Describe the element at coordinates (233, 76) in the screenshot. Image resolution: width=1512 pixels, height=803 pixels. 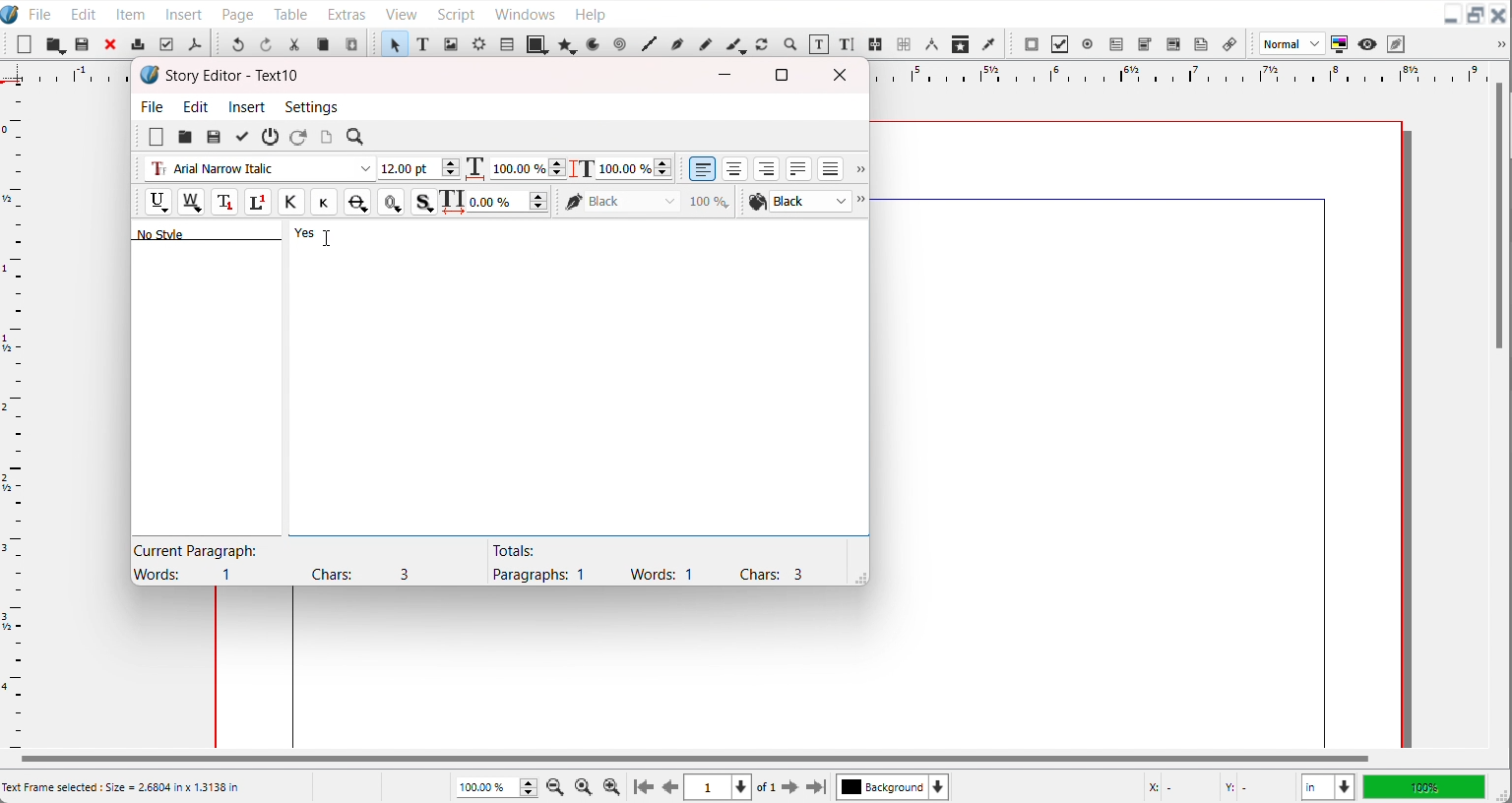
I see `Text` at that location.